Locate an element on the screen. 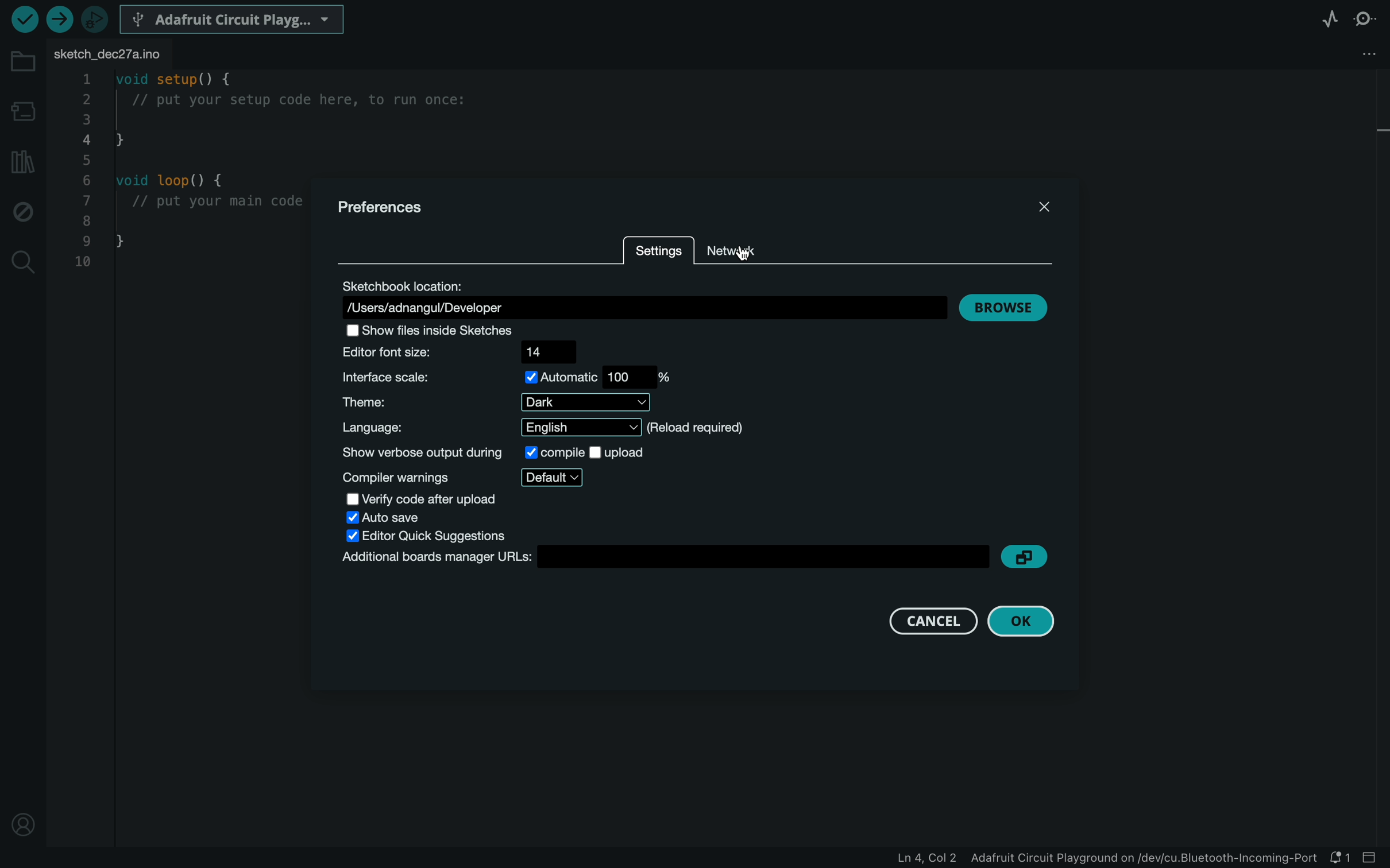  serial monitor is located at coordinates (1367, 18).